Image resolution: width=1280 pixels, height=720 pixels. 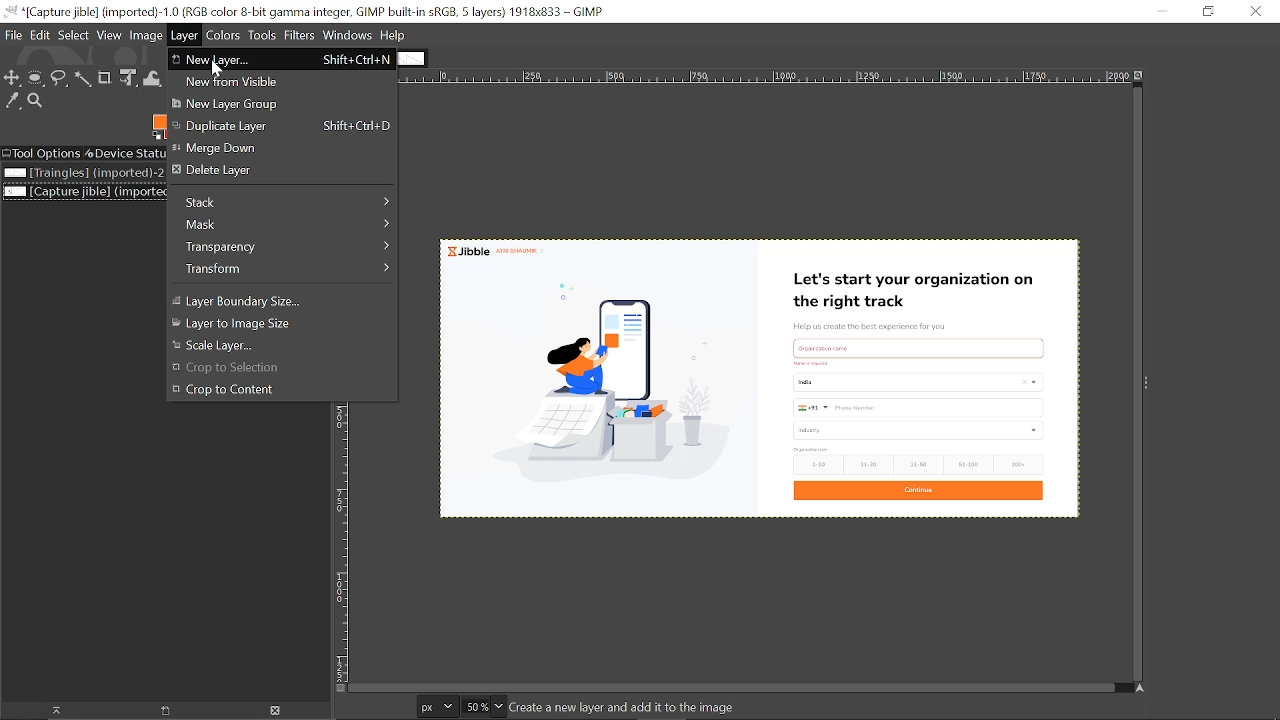 I want to click on Layer, so click(x=185, y=35).